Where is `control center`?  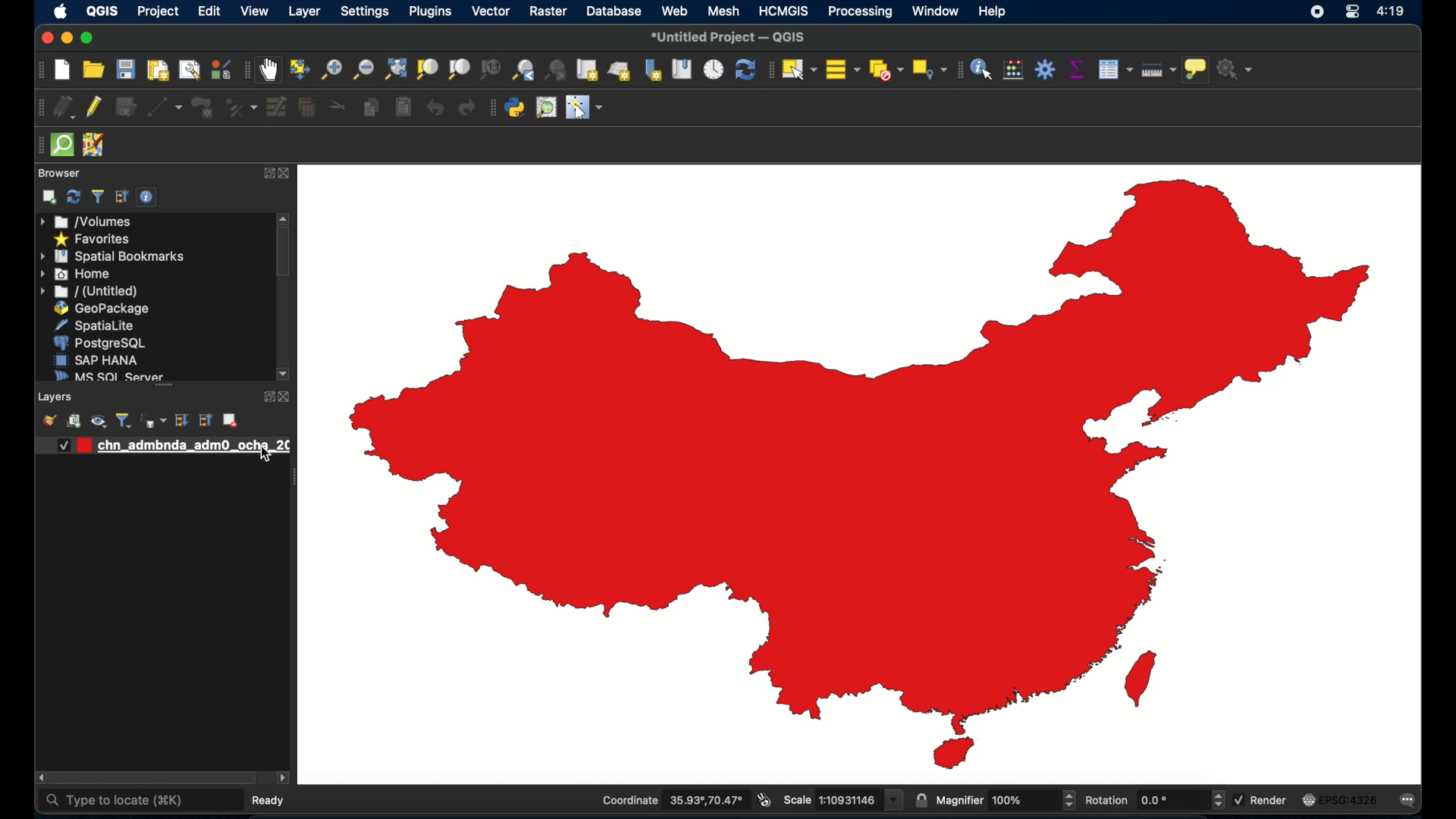 control center is located at coordinates (1352, 13).